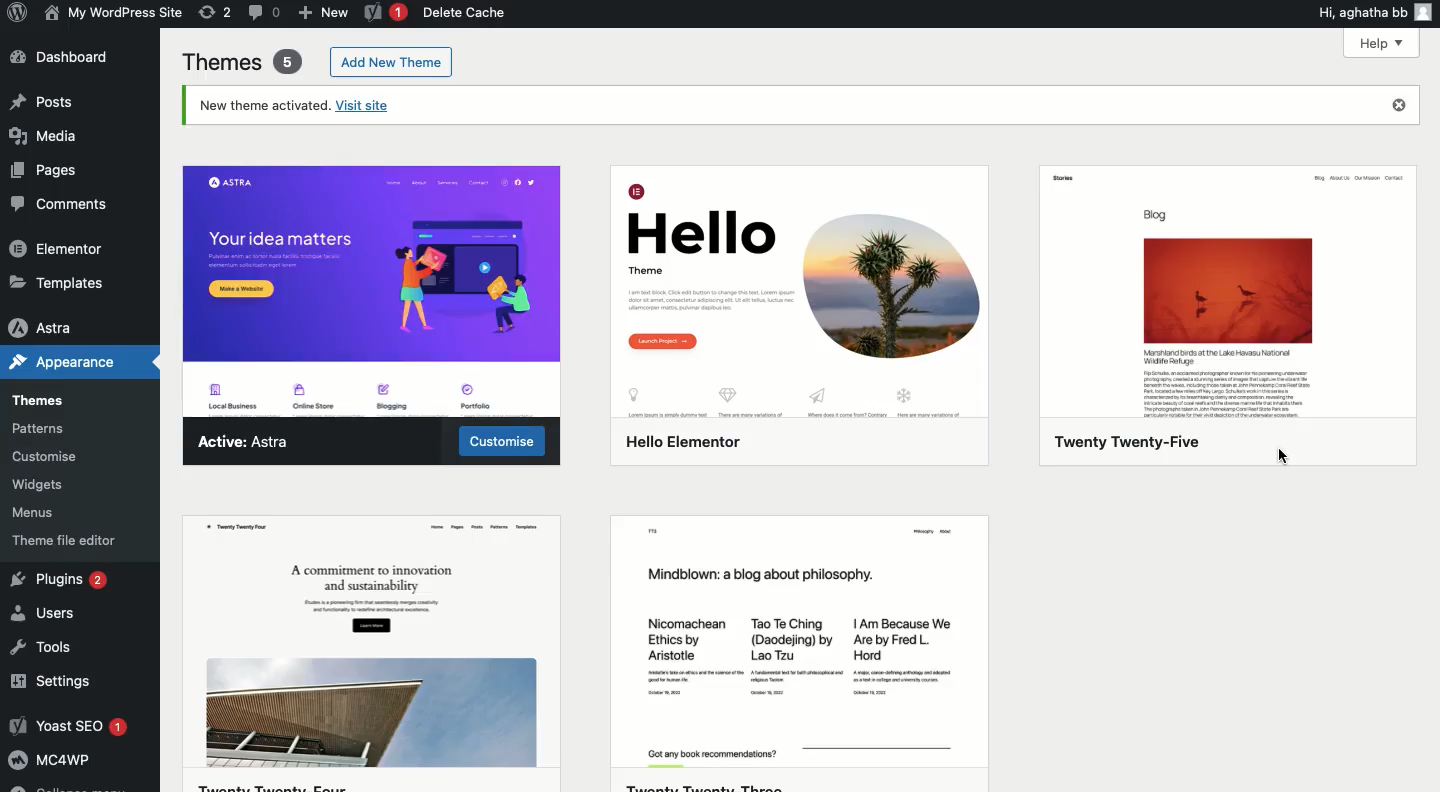 The width and height of the screenshot is (1440, 792). I want to click on New, so click(323, 14).